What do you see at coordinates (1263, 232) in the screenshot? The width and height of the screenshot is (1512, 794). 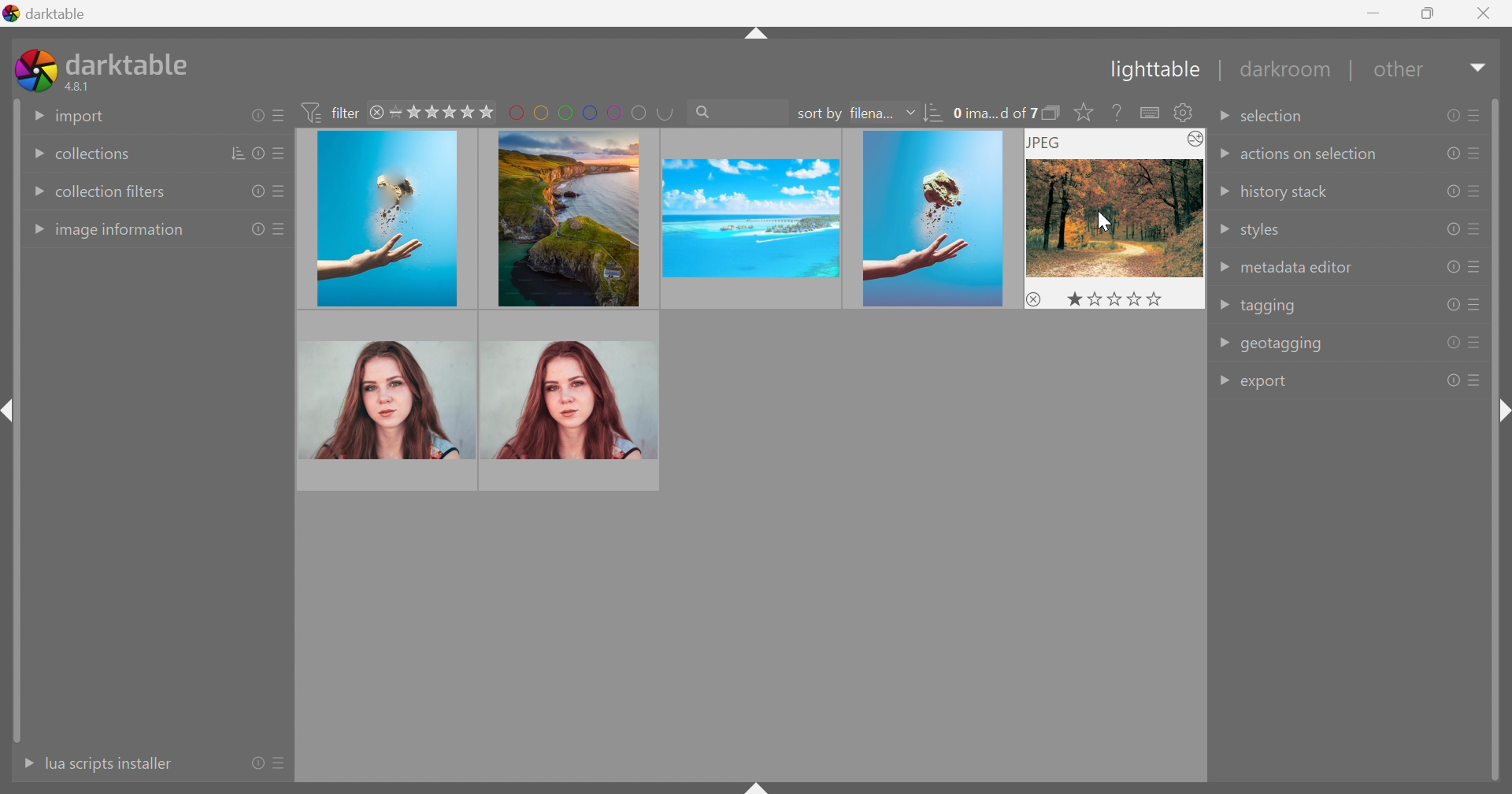 I see `styles` at bounding box center [1263, 232].